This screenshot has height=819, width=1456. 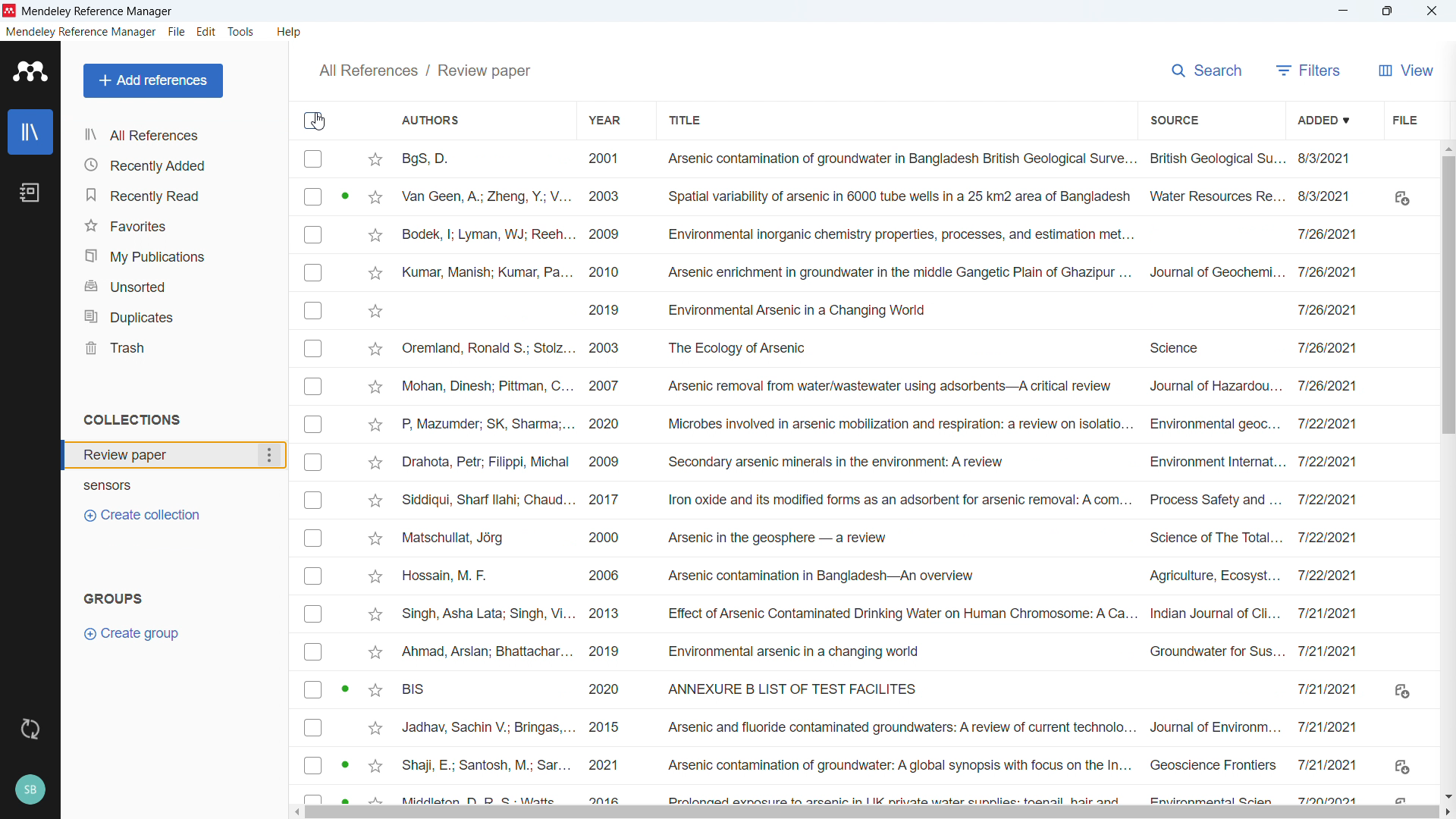 I want to click on Title, so click(x=684, y=118).